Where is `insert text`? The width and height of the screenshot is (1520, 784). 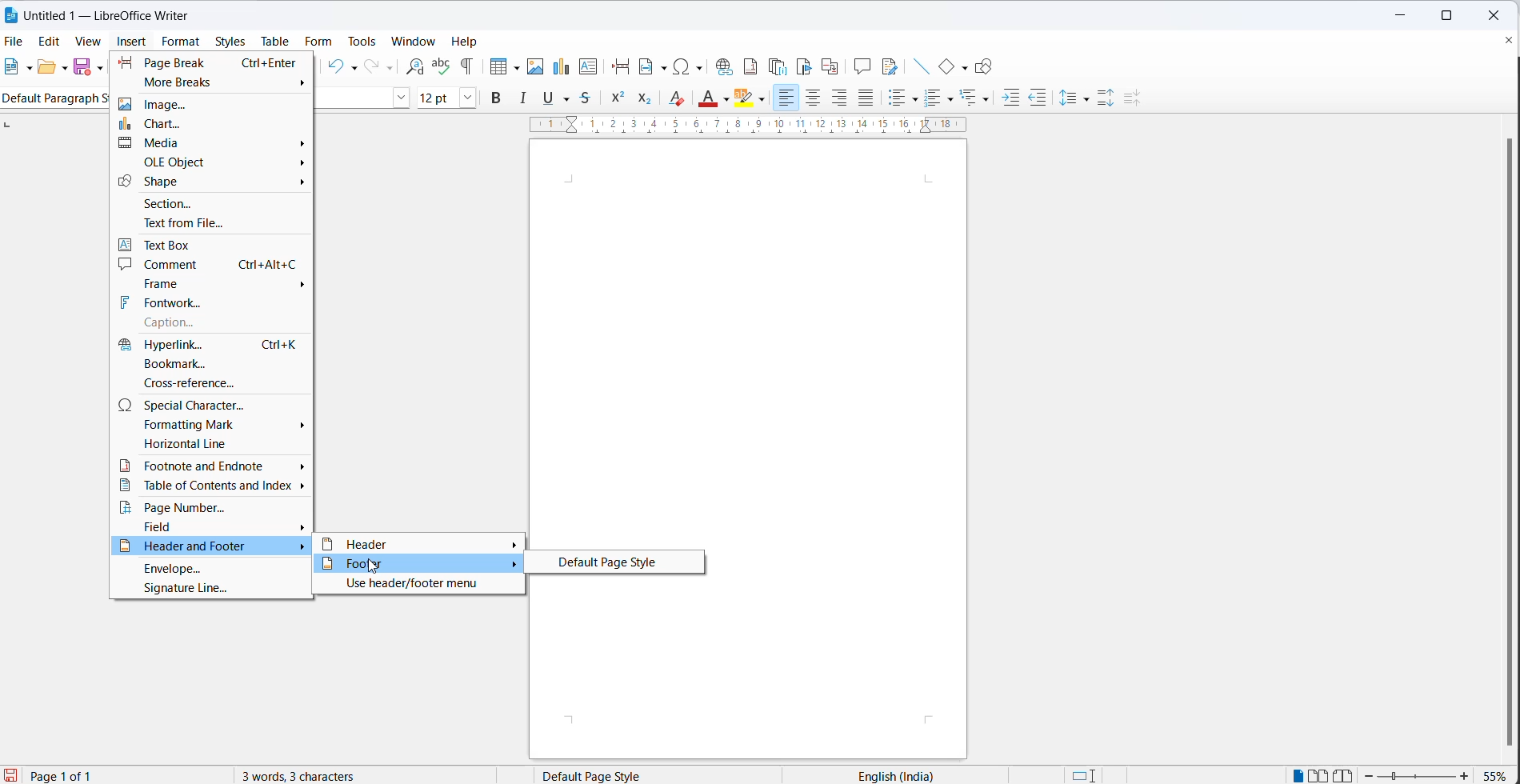 insert text is located at coordinates (591, 66).